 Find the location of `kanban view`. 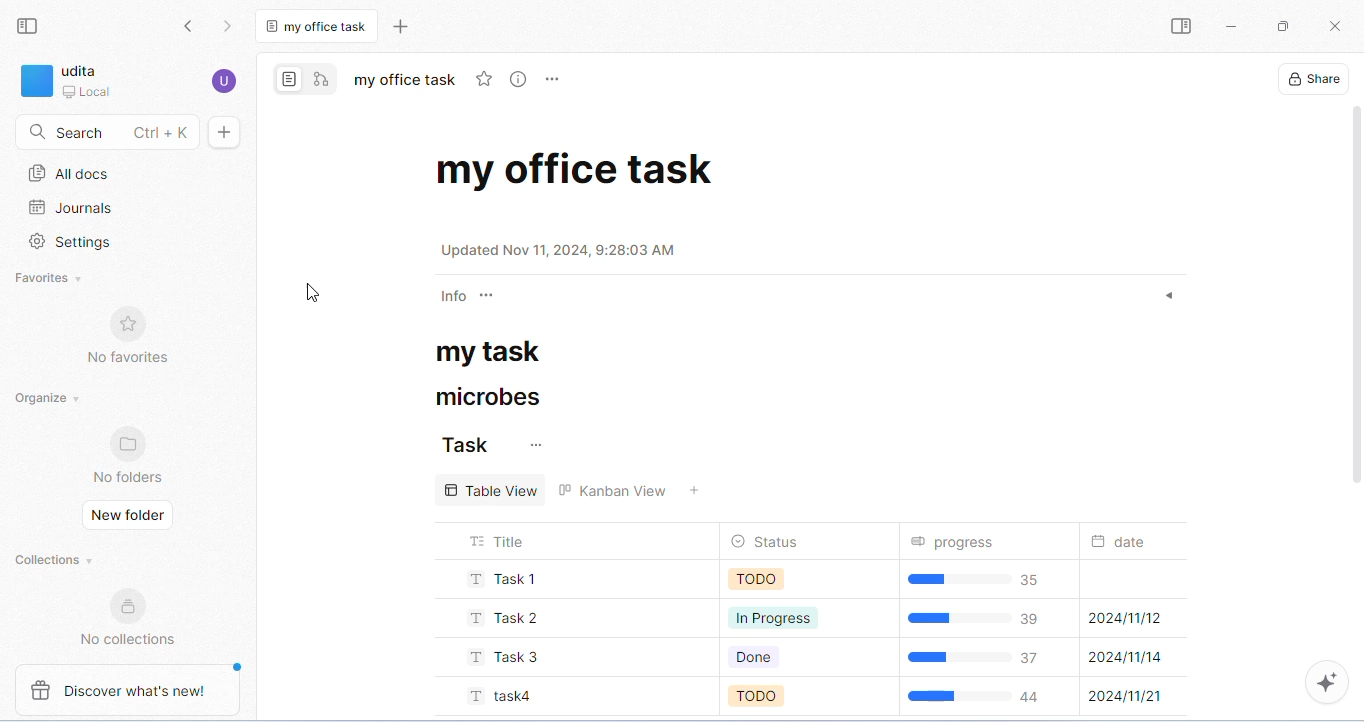

kanban view is located at coordinates (631, 488).